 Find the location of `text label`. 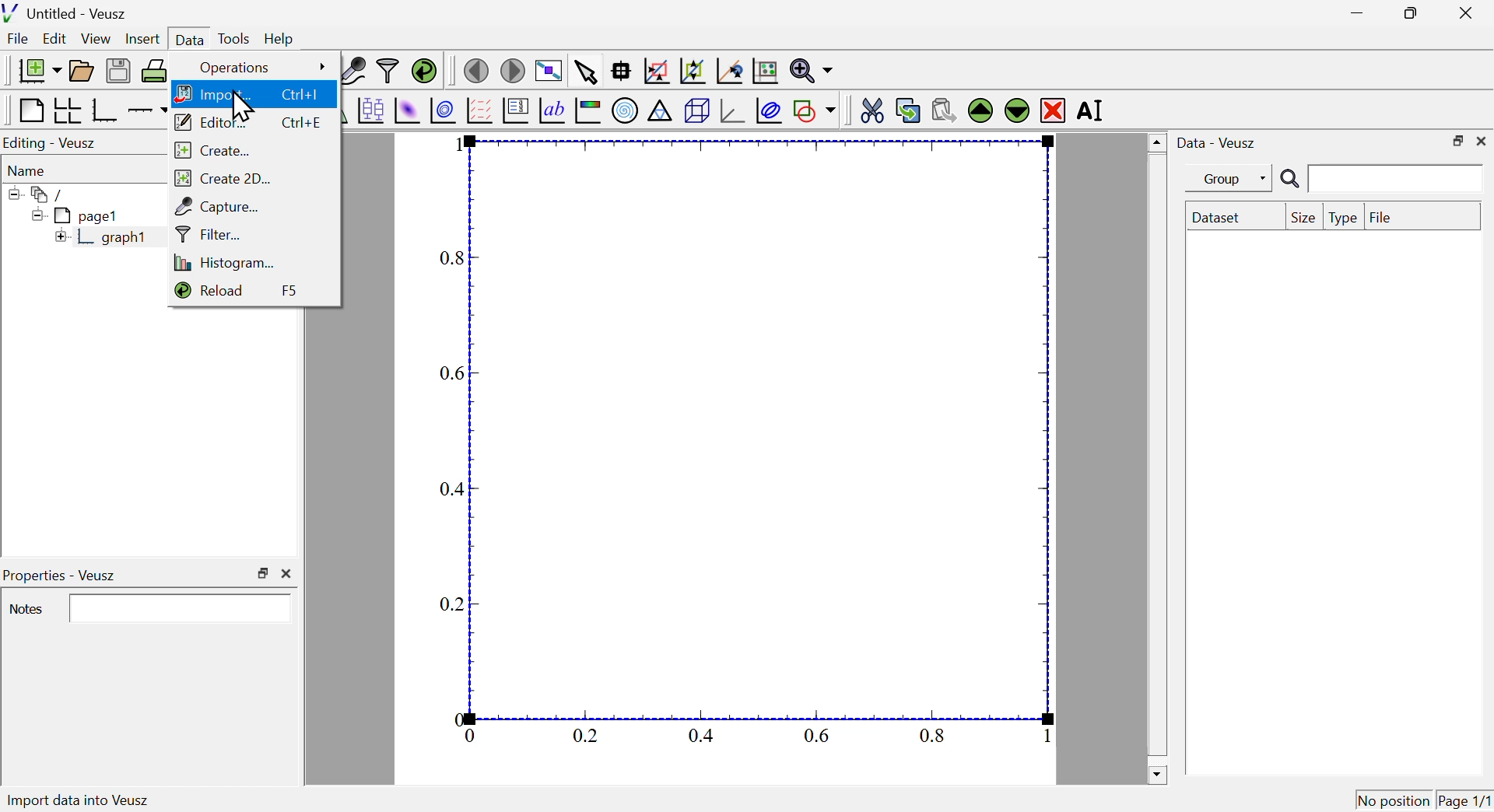

text label is located at coordinates (552, 113).